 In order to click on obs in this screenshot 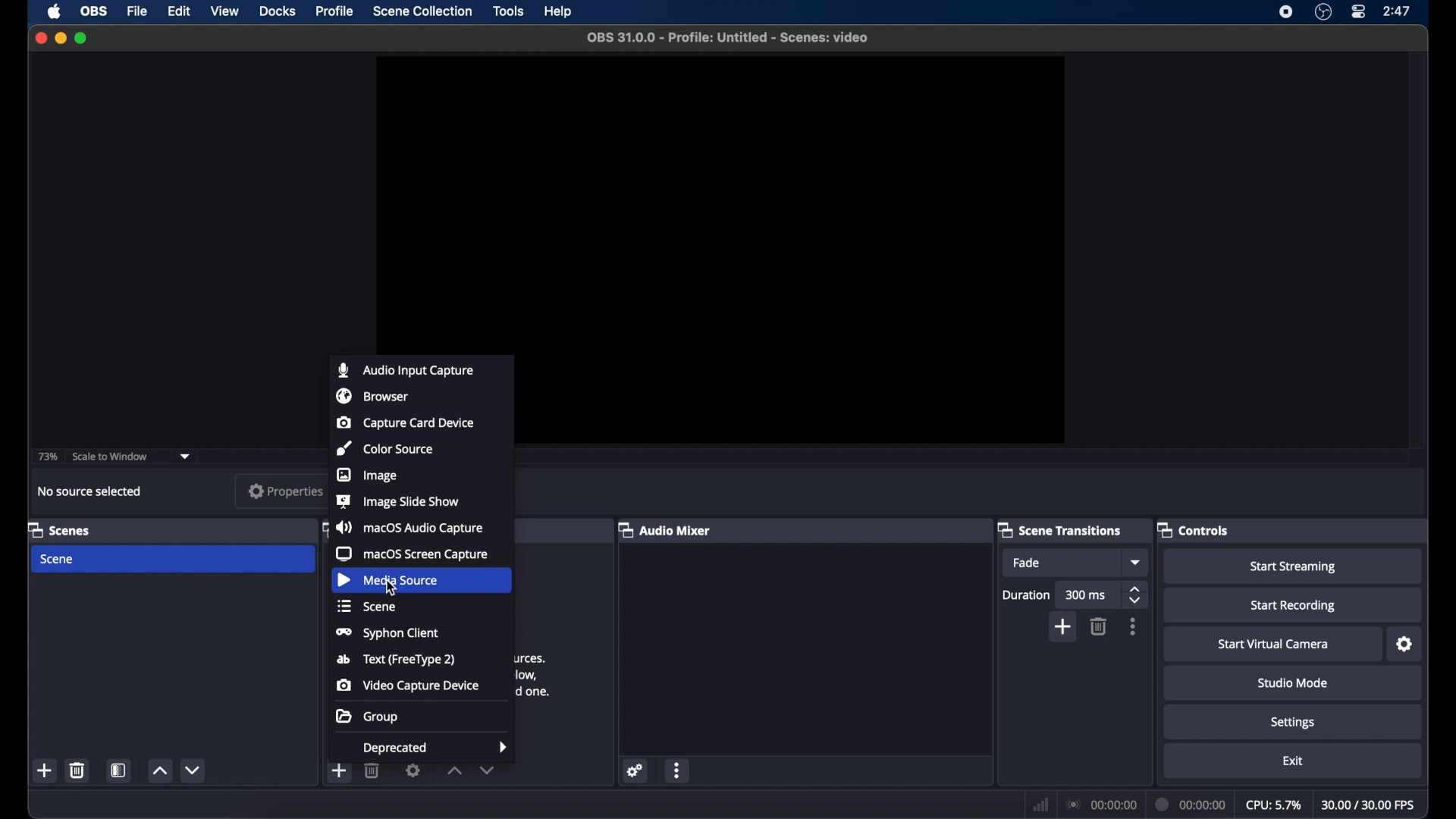, I will do `click(94, 11)`.